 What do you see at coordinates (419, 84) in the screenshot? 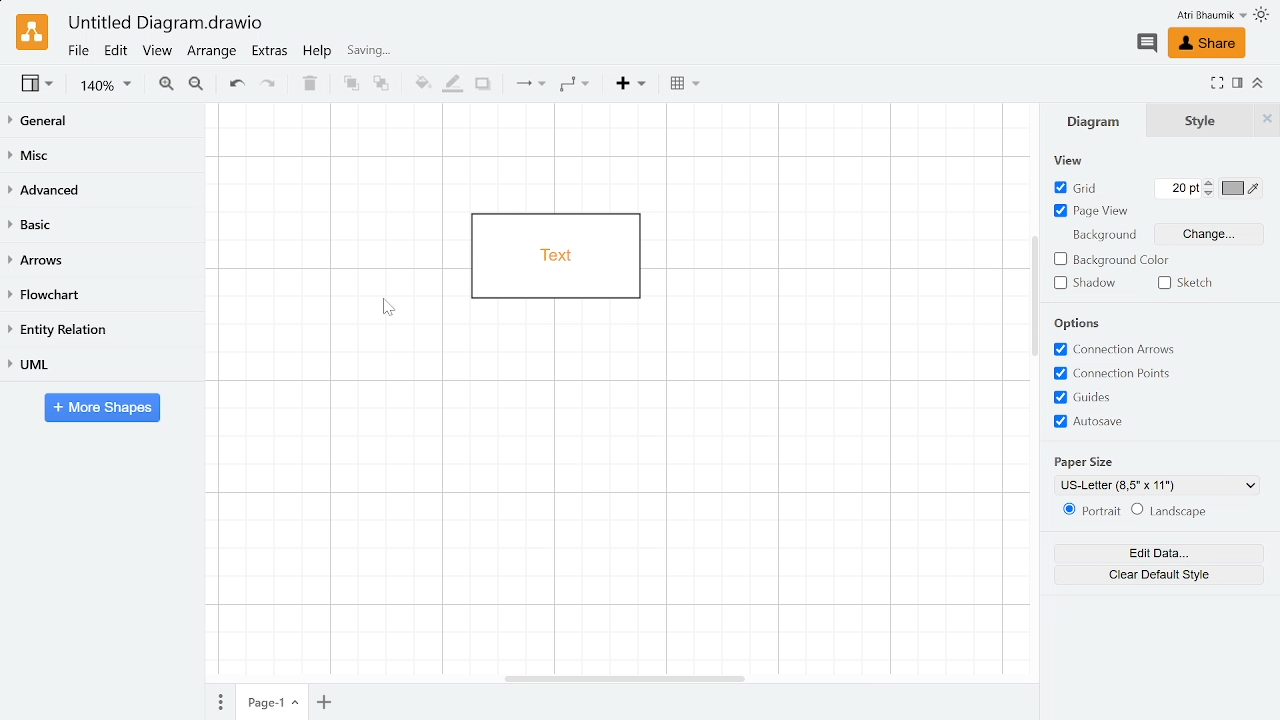
I see `Fill color` at bounding box center [419, 84].